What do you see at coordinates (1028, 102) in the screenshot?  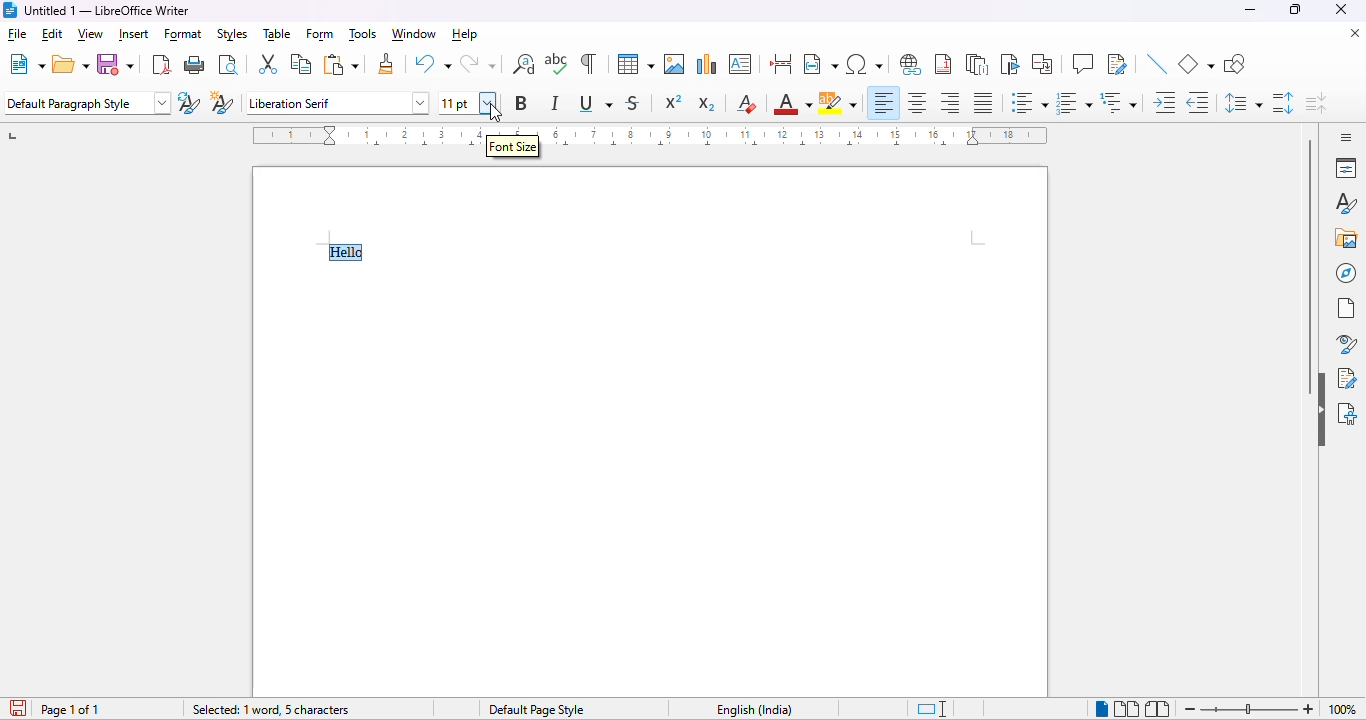 I see `toggle unordered list` at bounding box center [1028, 102].